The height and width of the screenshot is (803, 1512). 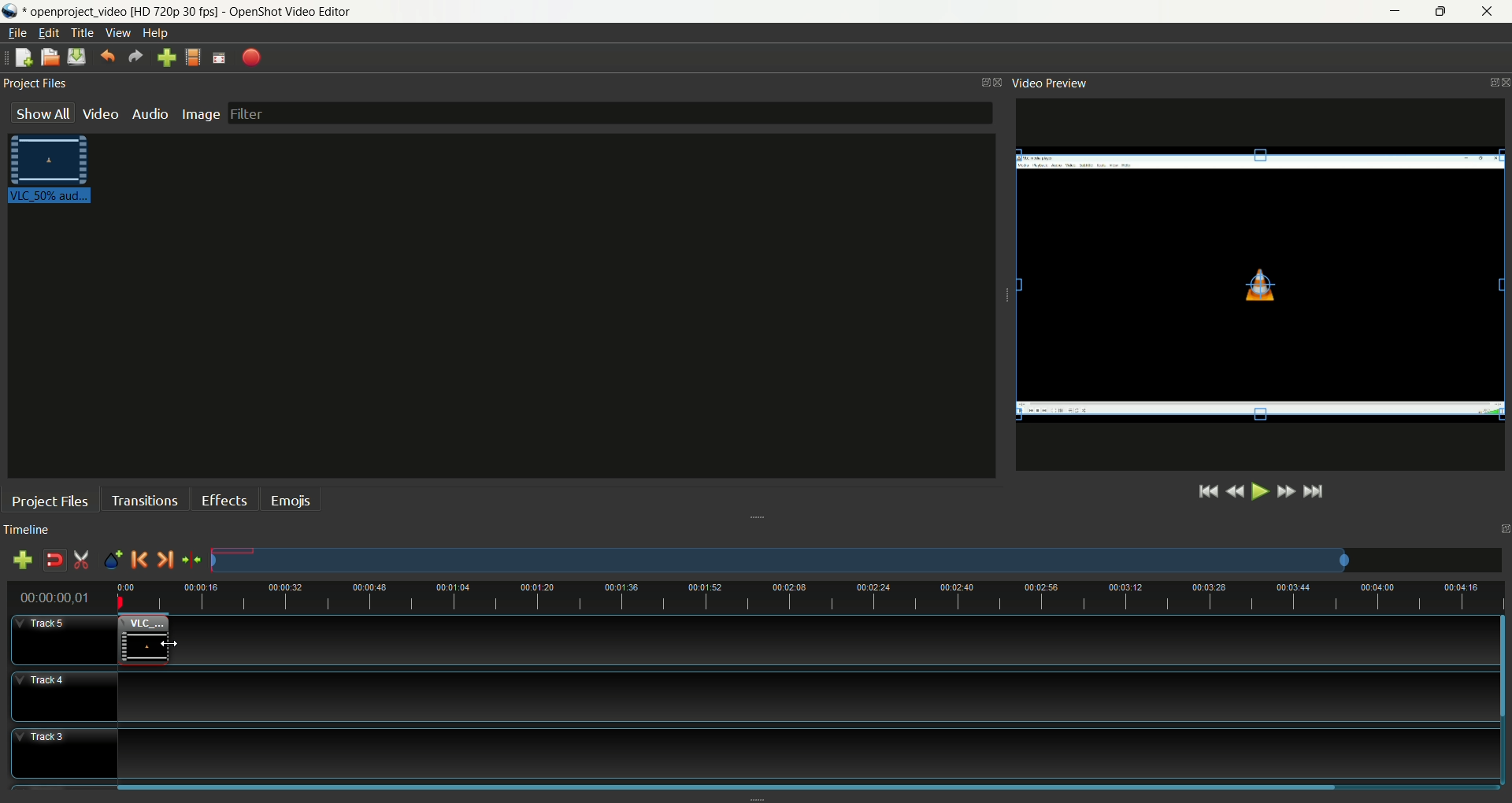 What do you see at coordinates (155, 33) in the screenshot?
I see `help` at bounding box center [155, 33].